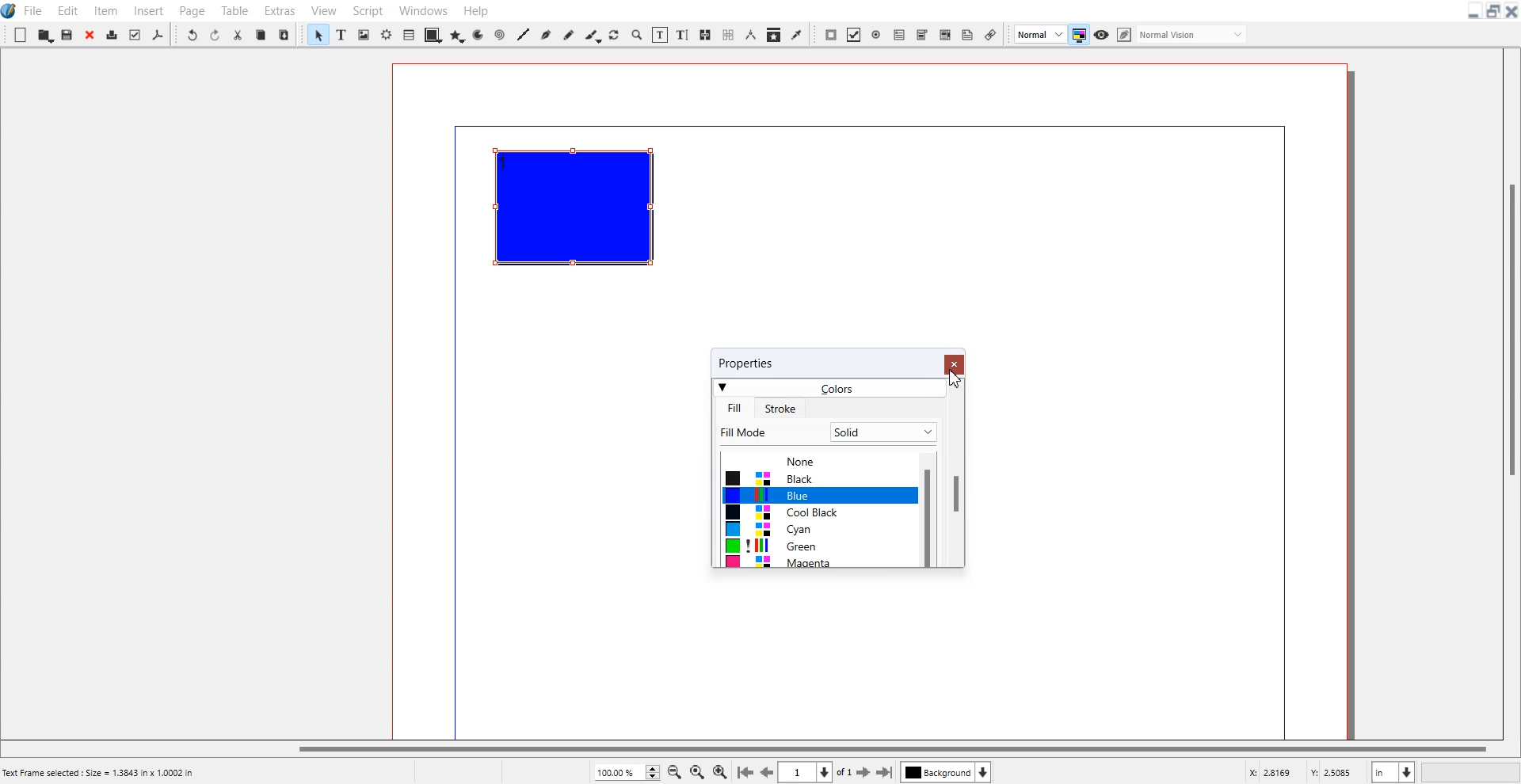 Image resolution: width=1521 pixels, height=784 pixels. What do you see at coordinates (386, 34) in the screenshot?
I see `Render frame` at bounding box center [386, 34].